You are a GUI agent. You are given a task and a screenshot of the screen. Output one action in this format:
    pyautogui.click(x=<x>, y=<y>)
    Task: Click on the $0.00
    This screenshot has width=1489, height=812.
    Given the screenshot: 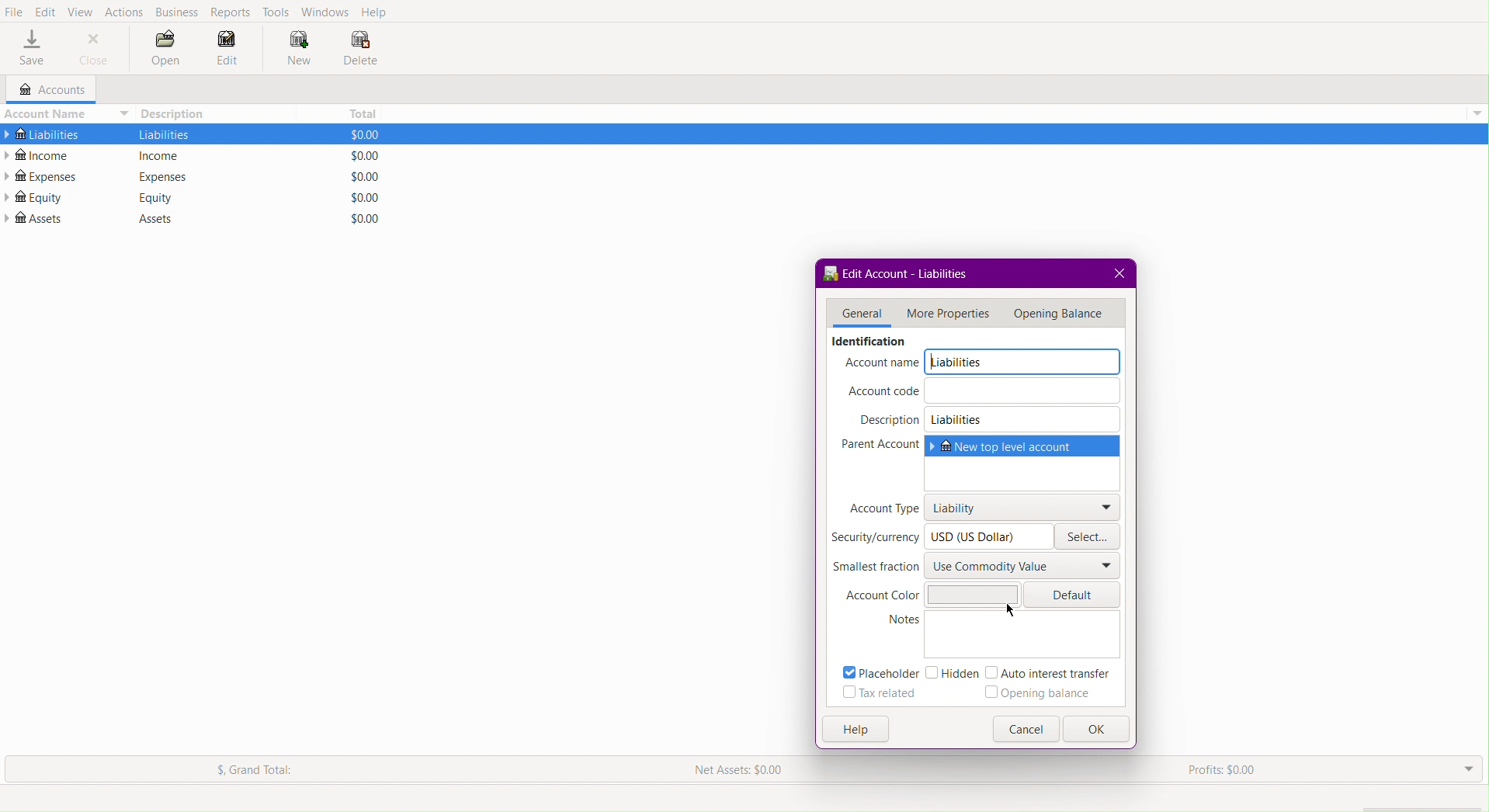 What is the action you would take?
    pyautogui.click(x=360, y=197)
    